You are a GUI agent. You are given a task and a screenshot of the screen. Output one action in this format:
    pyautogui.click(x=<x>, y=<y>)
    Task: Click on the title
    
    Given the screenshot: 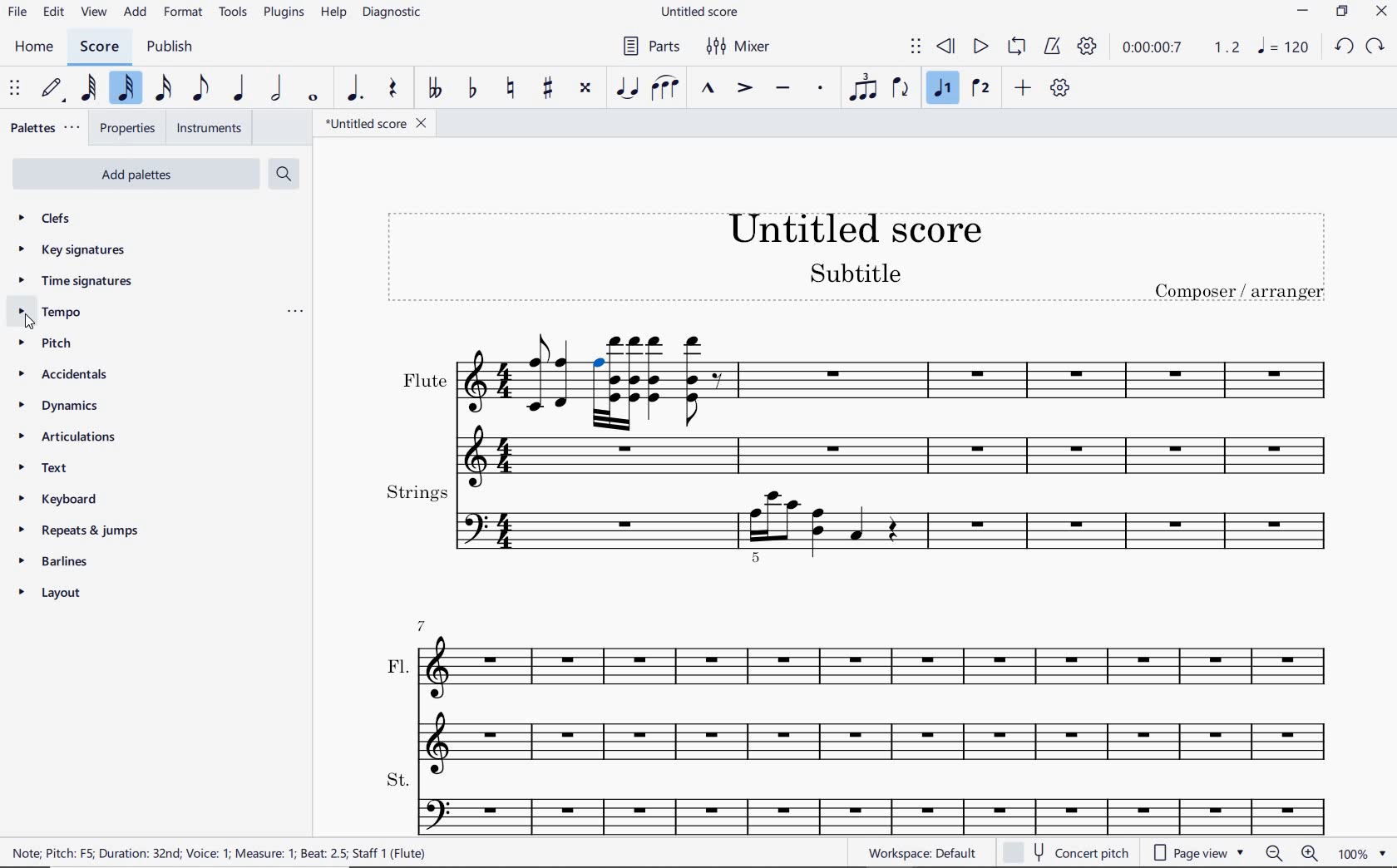 What is the action you would take?
    pyautogui.click(x=861, y=254)
    